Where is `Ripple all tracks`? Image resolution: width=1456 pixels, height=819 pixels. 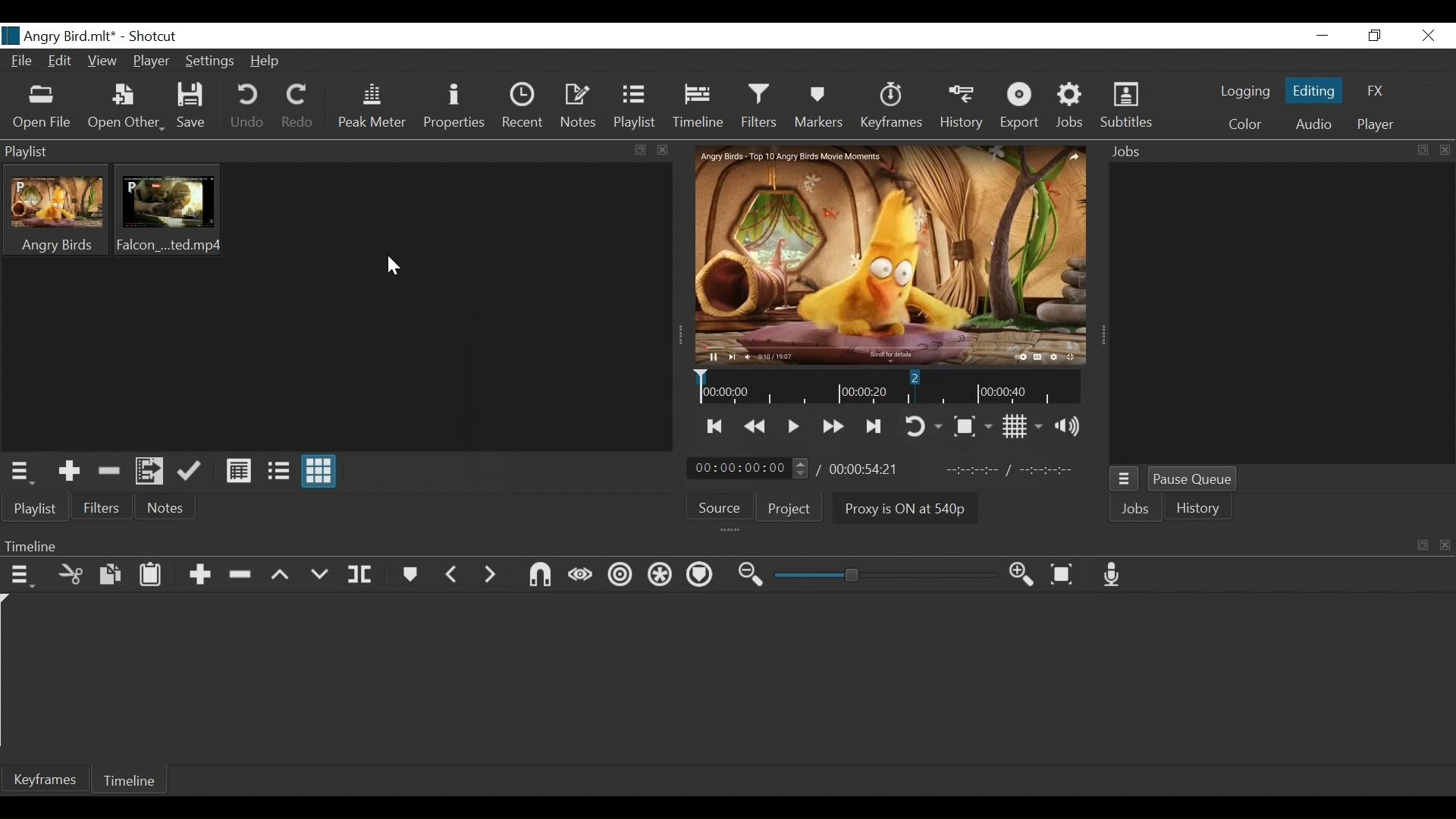 Ripple all tracks is located at coordinates (657, 575).